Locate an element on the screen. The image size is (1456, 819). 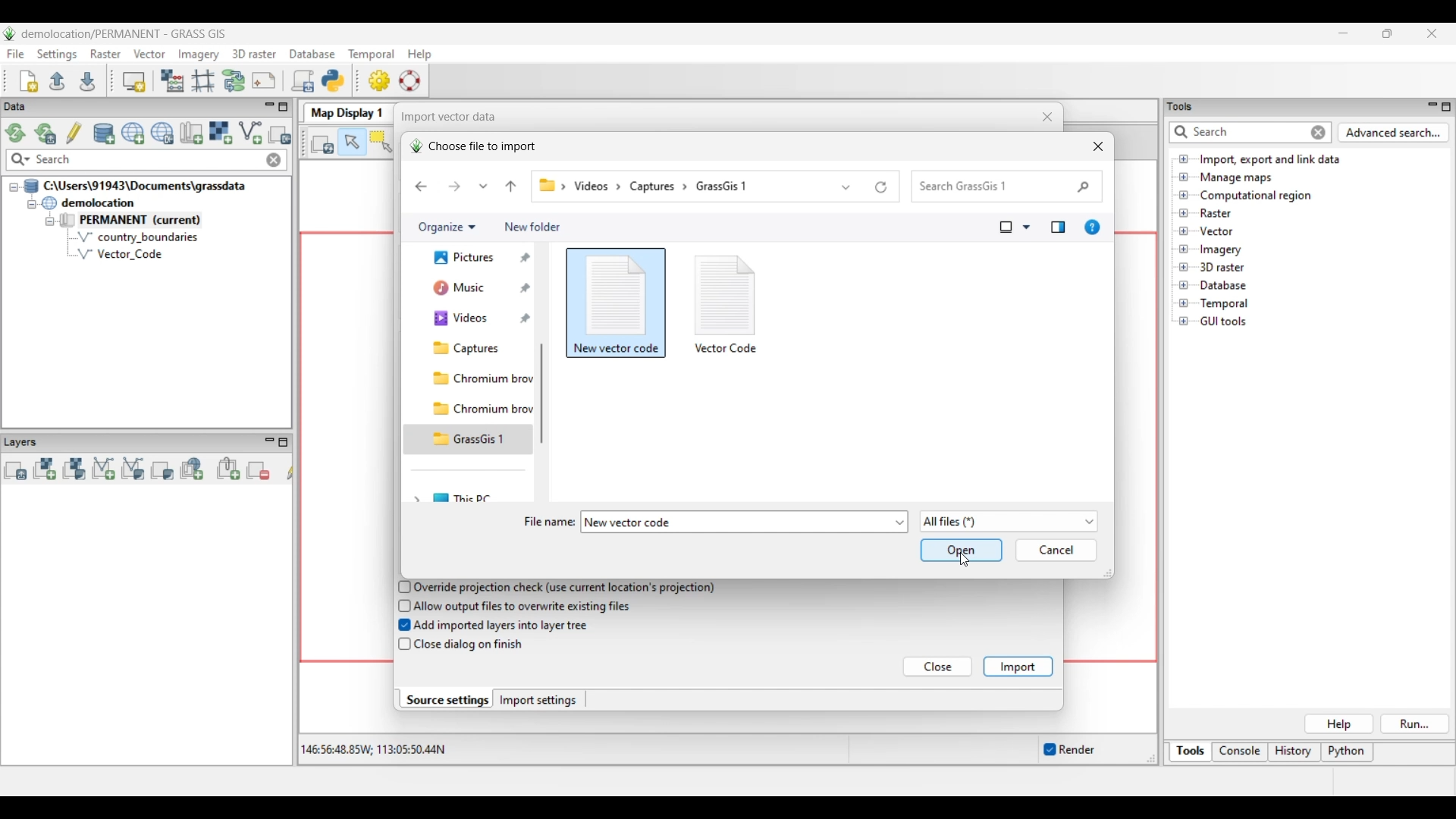
Show the preview pane is located at coordinates (1058, 227).